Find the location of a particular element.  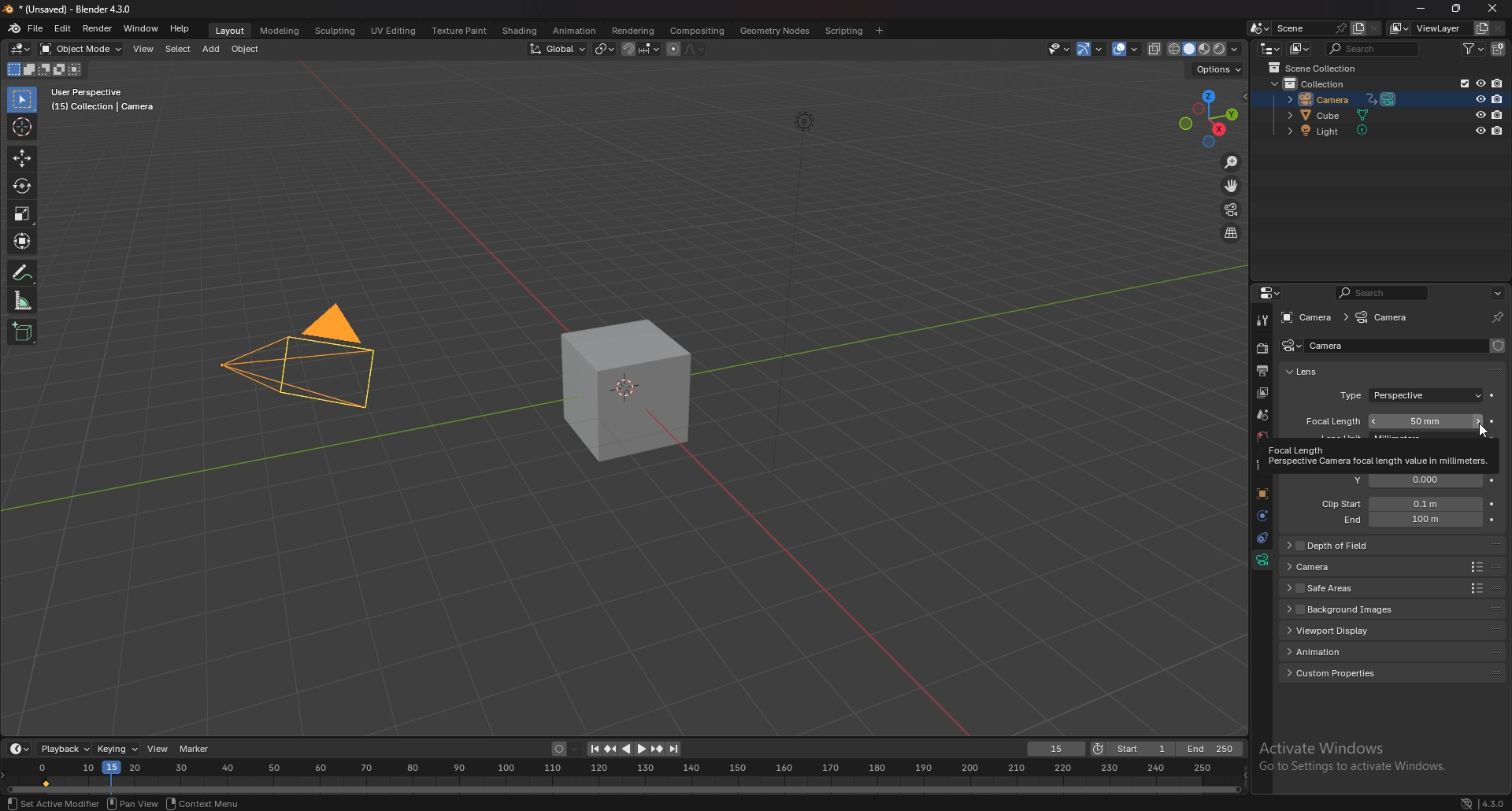

tooltip is located at coordinates (1379, 457).